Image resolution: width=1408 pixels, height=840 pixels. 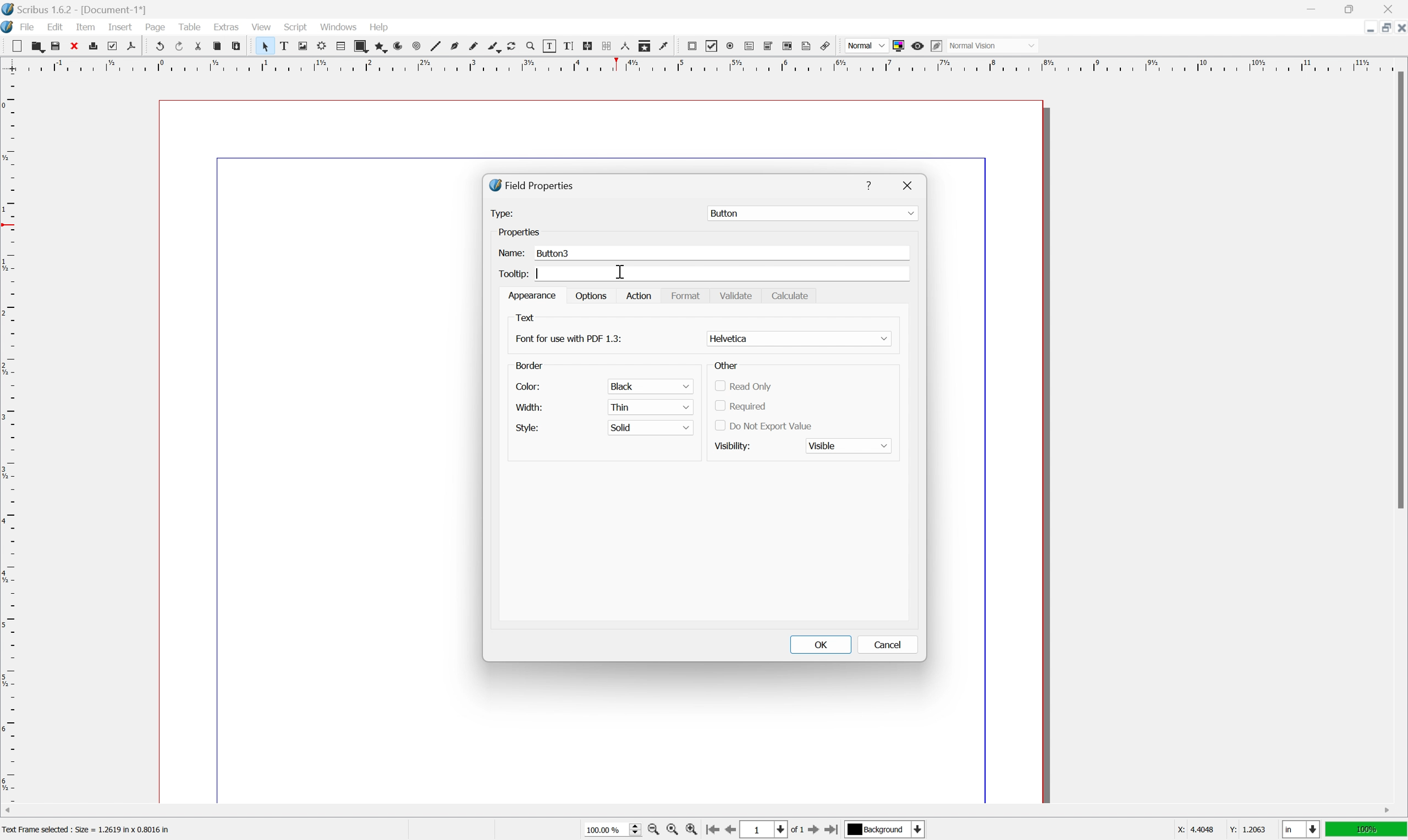 What do you see at coordinates (936, 46) in the screenshot?
I see `Edit in preview mode` at bounding box center [936, 46].